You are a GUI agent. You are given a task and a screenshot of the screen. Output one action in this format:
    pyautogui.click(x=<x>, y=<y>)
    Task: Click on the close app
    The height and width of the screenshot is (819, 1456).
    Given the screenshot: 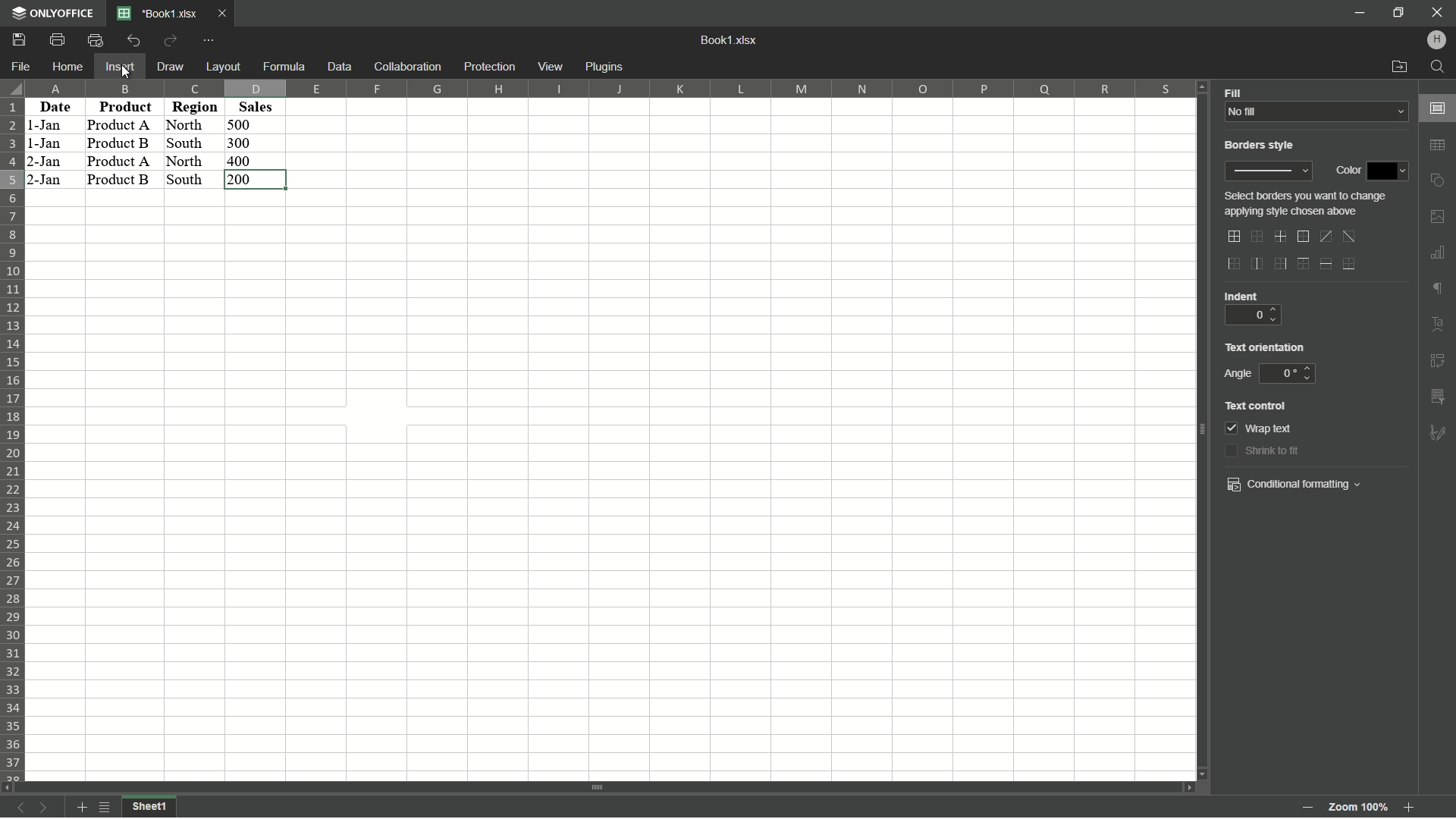 What is the action you would take?
    pyautogui.click(x=1437, y=13)
    